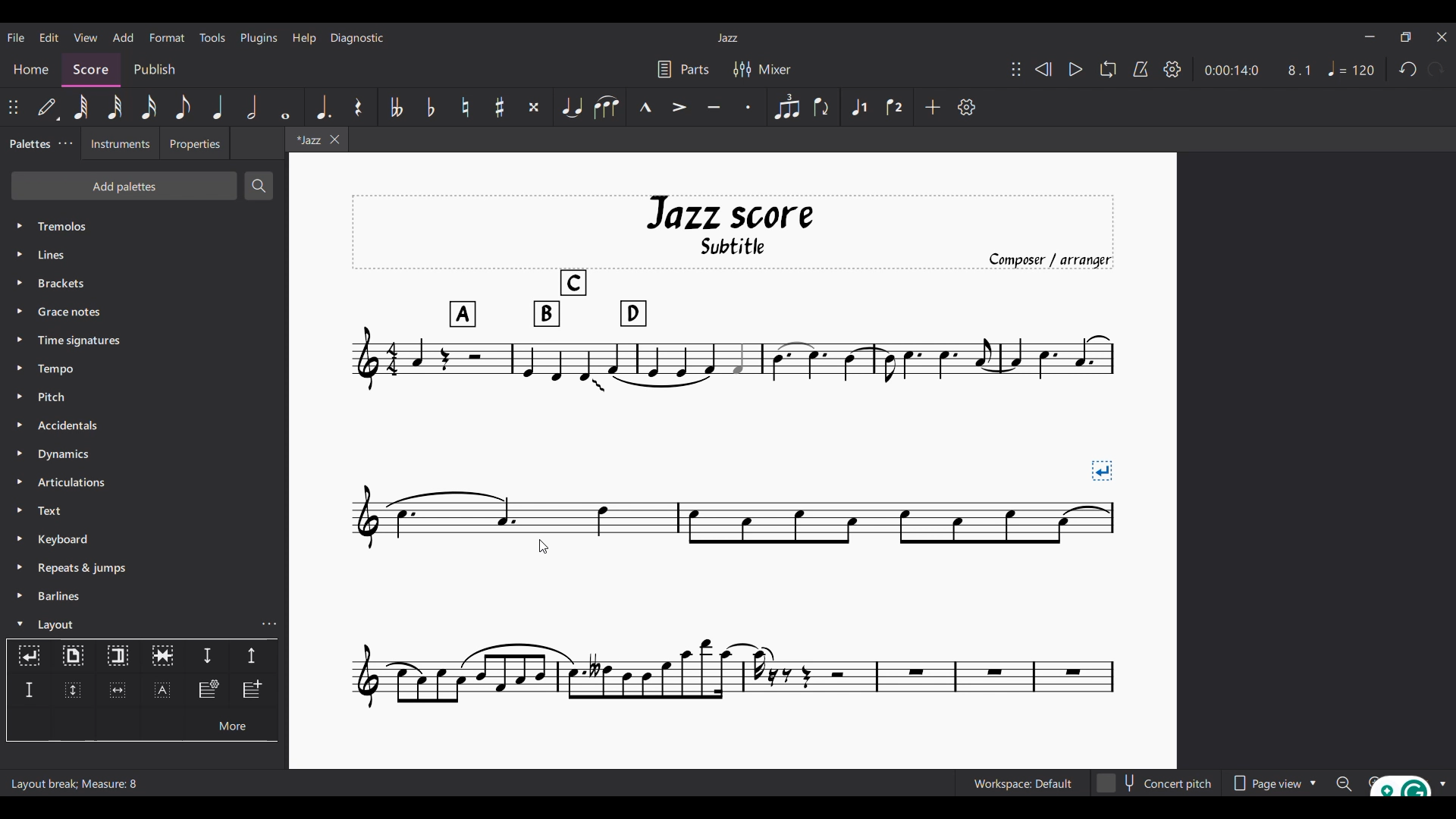  I want to click on Slur, so click(606, 107).